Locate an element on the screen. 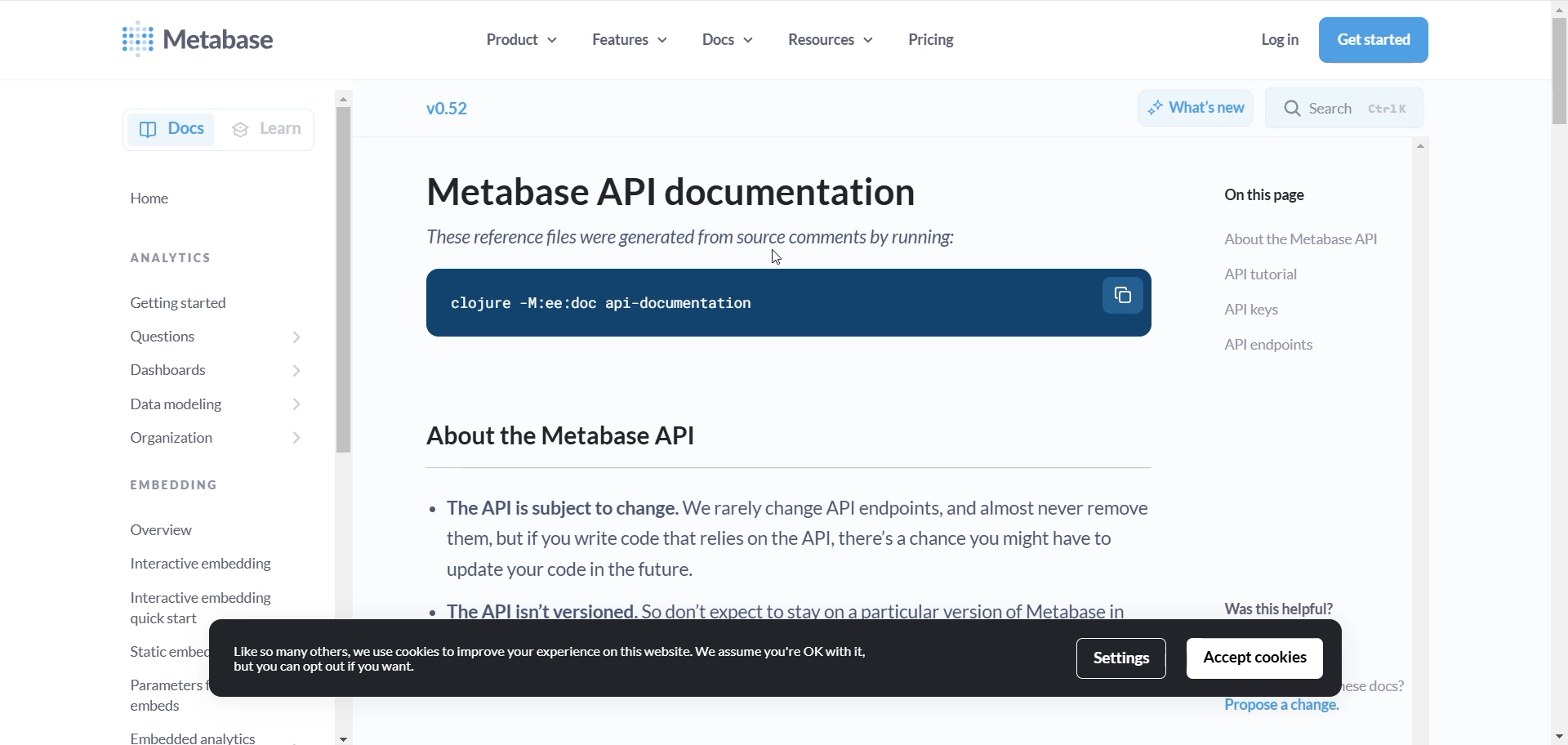 The image size is (1568, 745). features is located at coordinates (635, 43).